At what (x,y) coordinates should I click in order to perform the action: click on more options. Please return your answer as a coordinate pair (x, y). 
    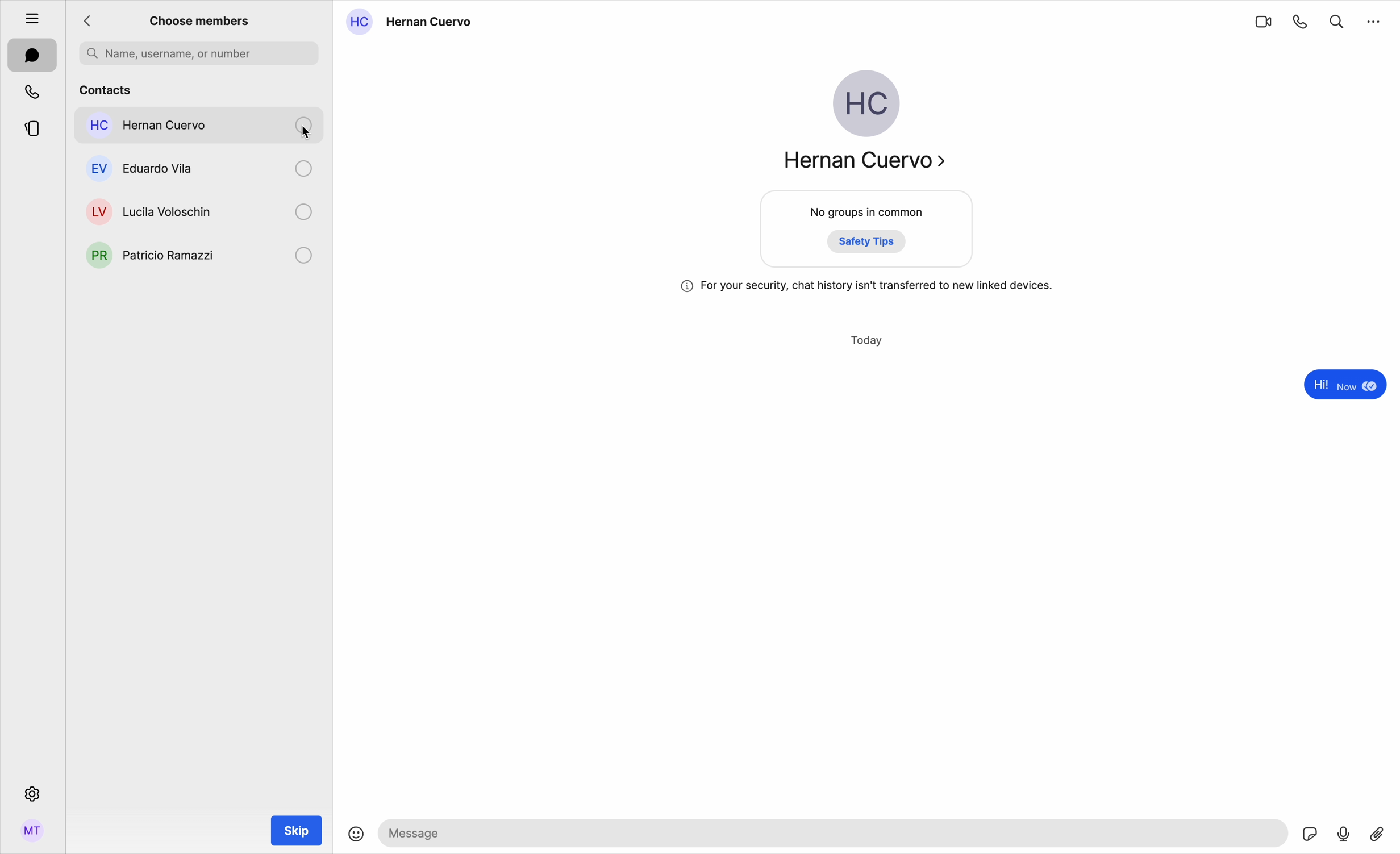
    Looking at the image, I should click on (1374, 20).